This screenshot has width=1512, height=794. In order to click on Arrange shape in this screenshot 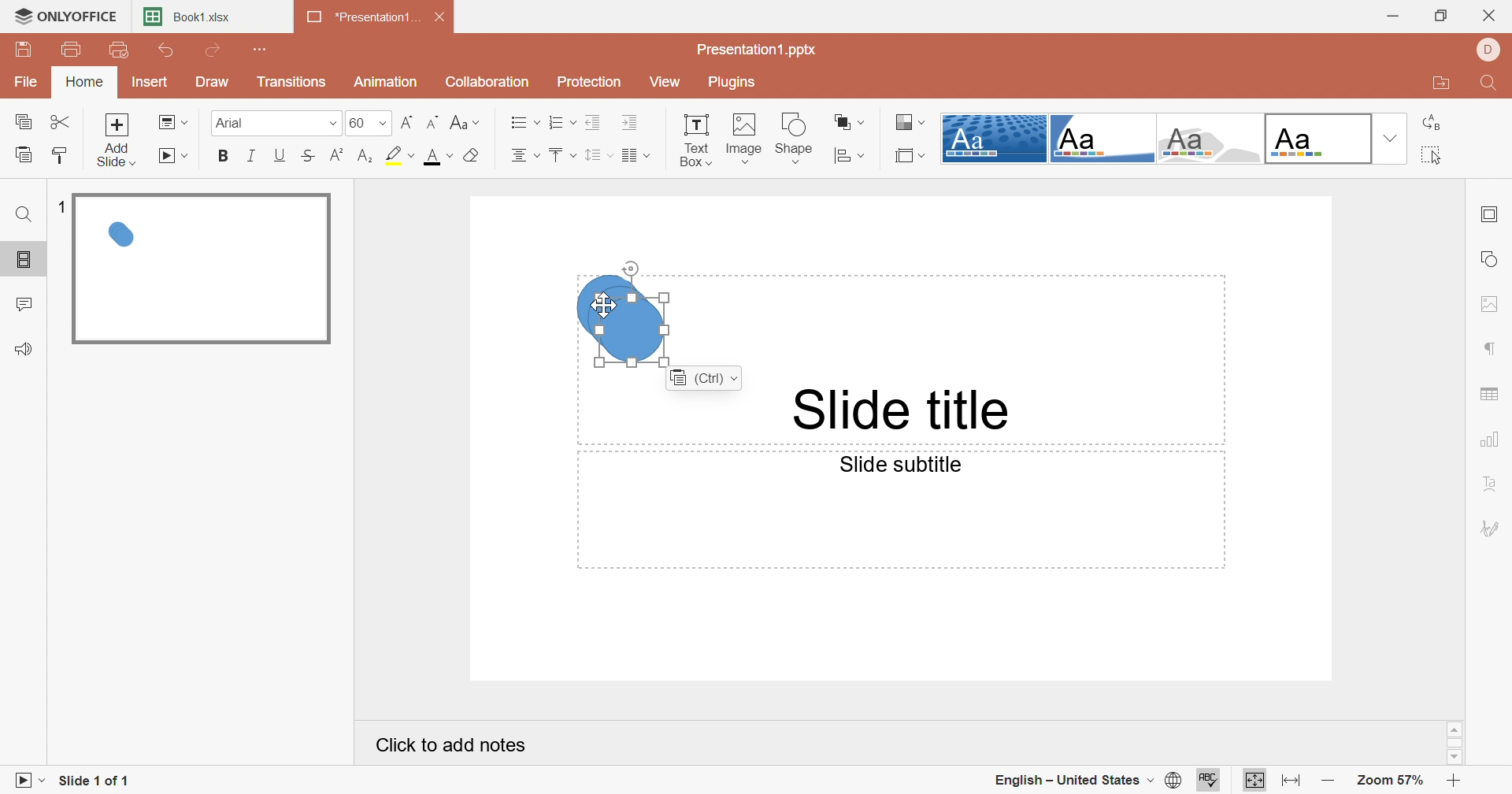, I will do `click(849, 121)`.